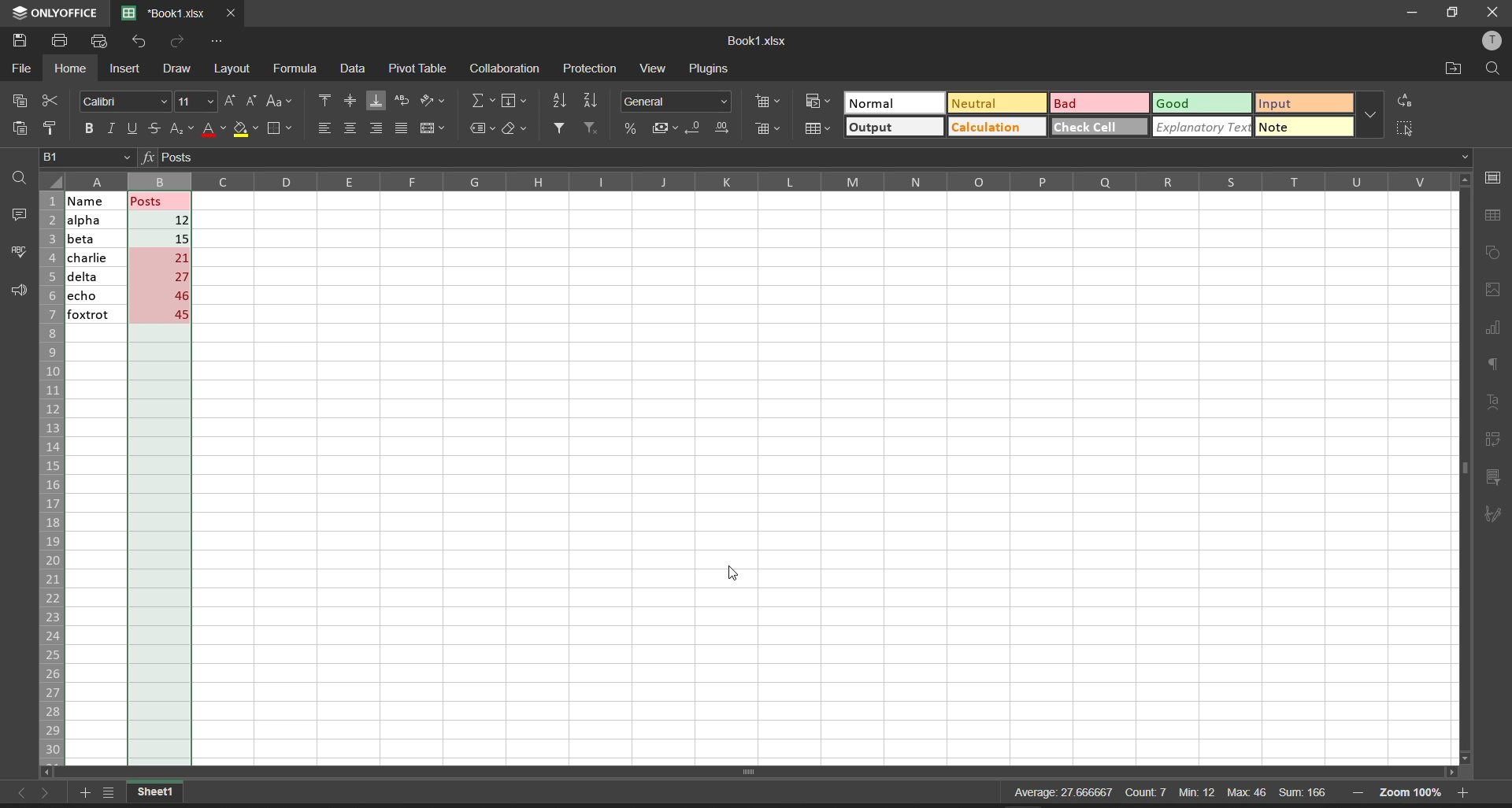  Describe the element at coordinates (125, 101) in the screenshot. I see `font` at that location.